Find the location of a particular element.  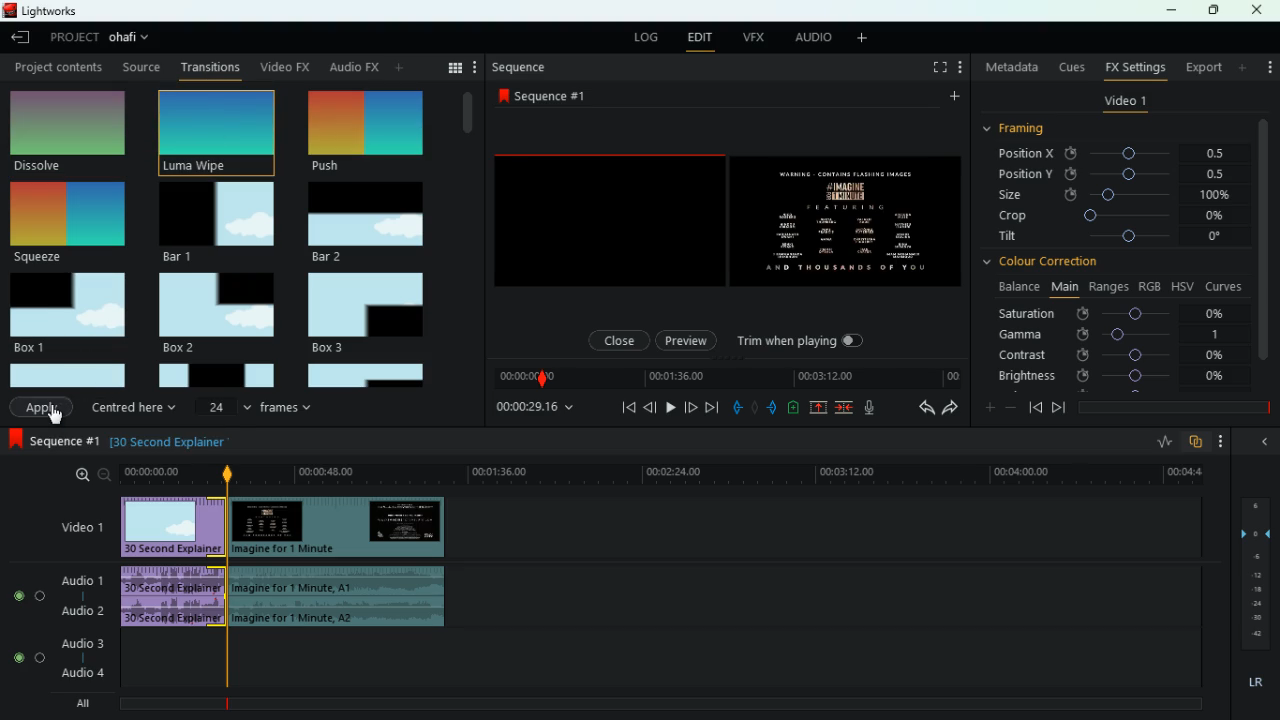

frames is located at coordinates (1253, 574).